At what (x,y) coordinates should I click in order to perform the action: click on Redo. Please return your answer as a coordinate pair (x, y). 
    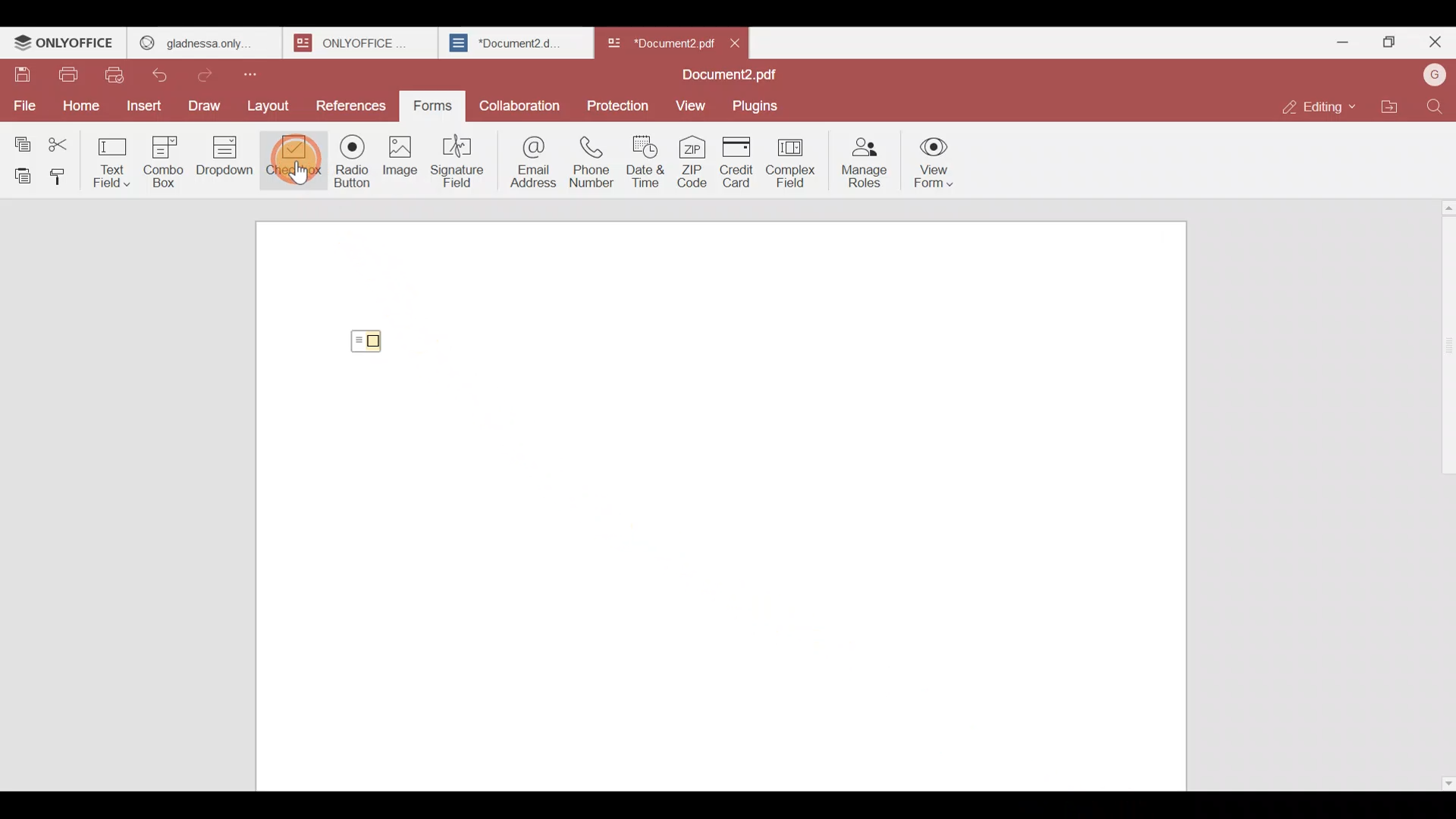
    Looking at the image, I should click on (212, 71).